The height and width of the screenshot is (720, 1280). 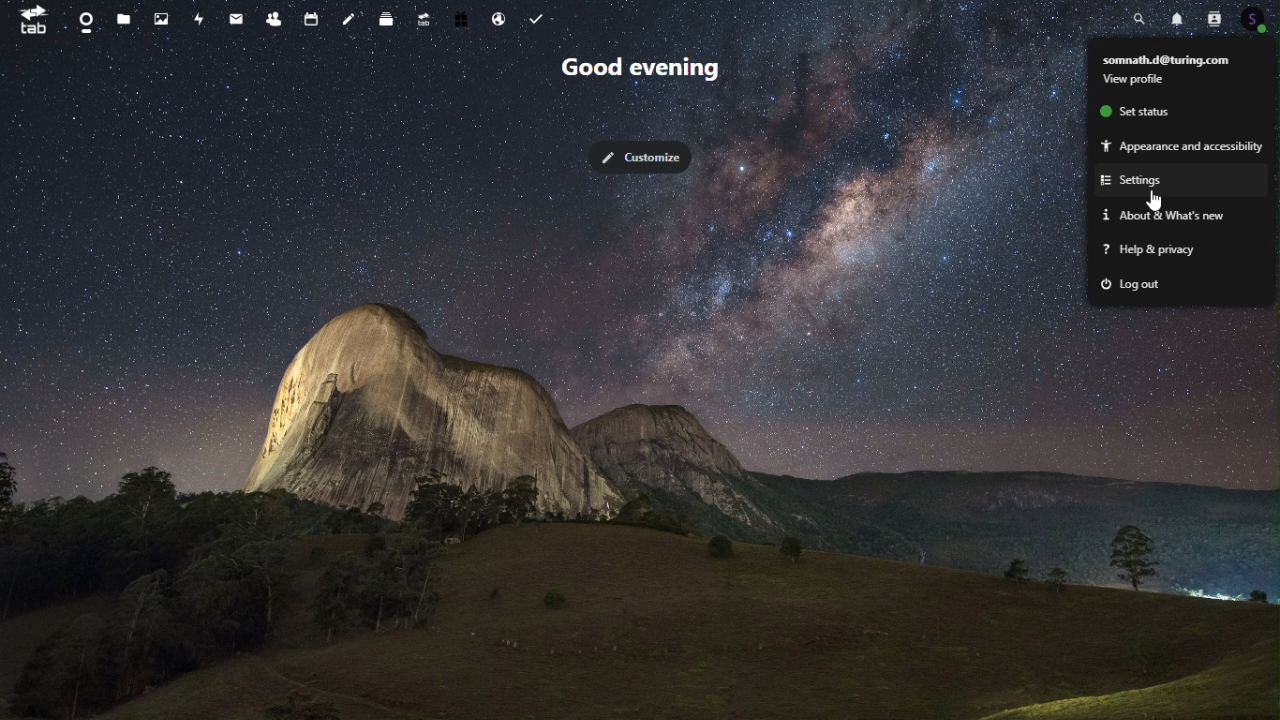 What do you see at coordinates (1142, 17) in the screenshot?
I see `search` at bounding box center [1142, 17].